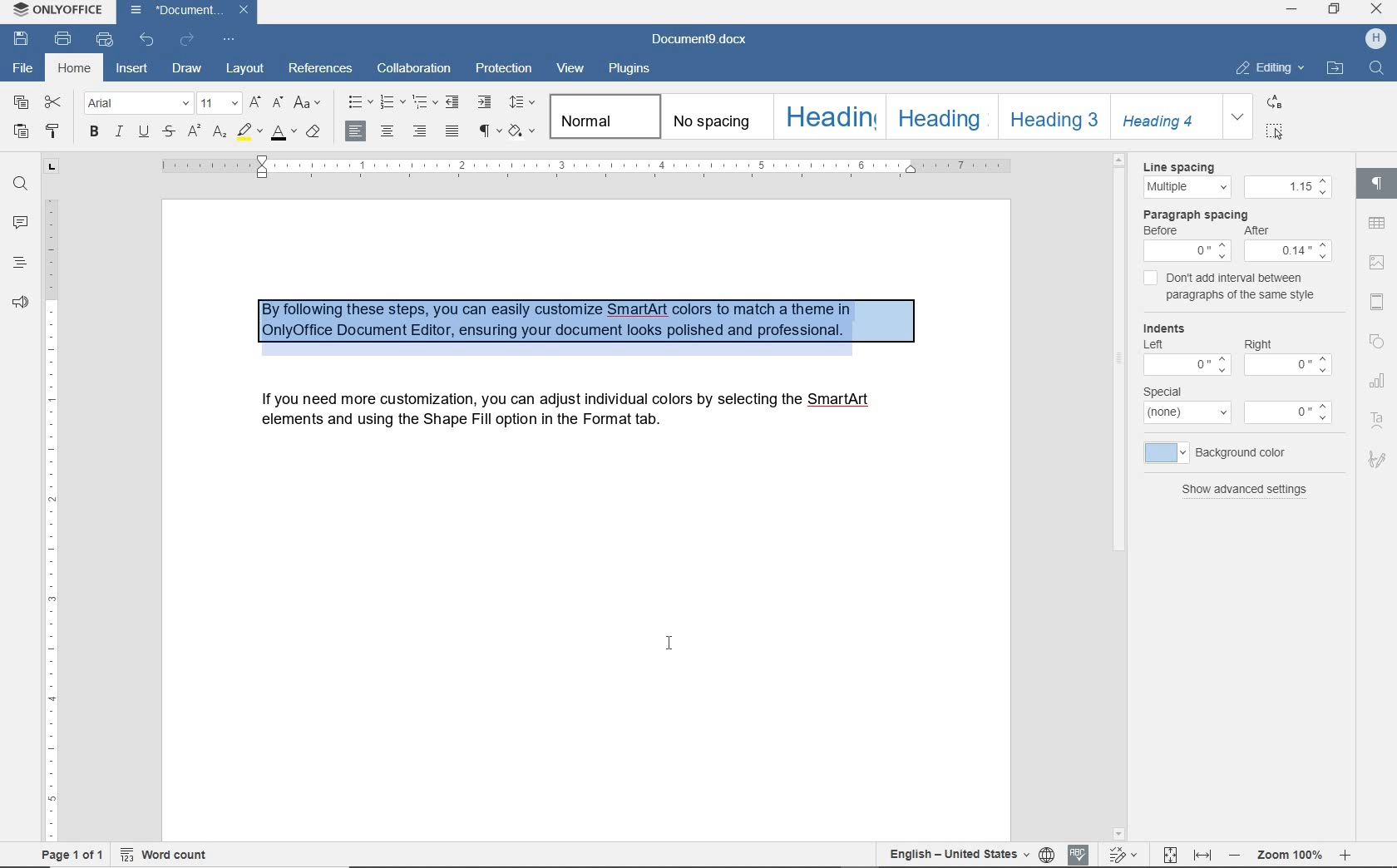  I want to click on find, so click(20, 184).